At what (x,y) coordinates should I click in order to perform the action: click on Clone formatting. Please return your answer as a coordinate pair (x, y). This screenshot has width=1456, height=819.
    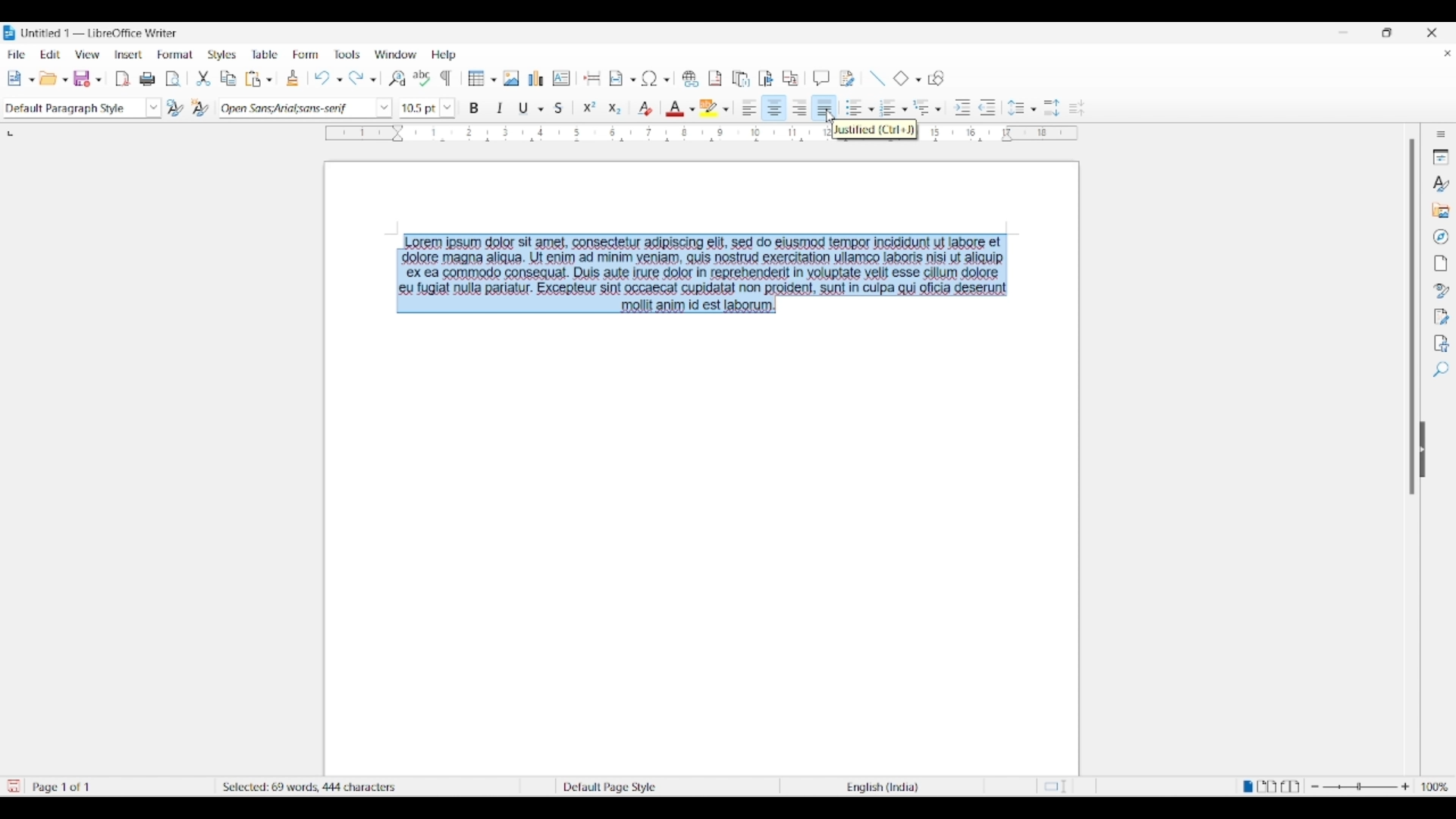
    Looking at the image, I should click on (292, 77).